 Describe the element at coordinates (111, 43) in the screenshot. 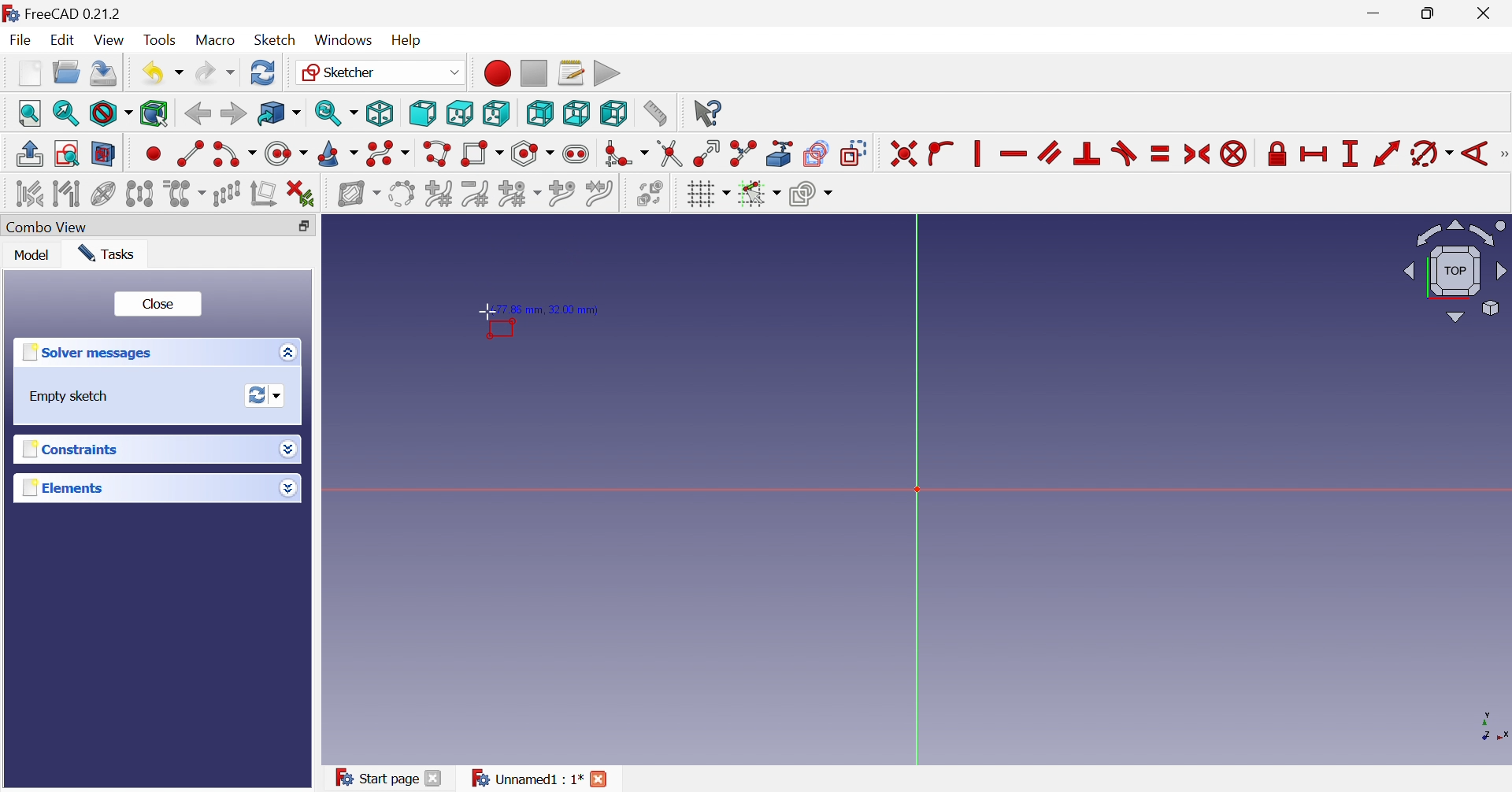

I see `View` at that location.